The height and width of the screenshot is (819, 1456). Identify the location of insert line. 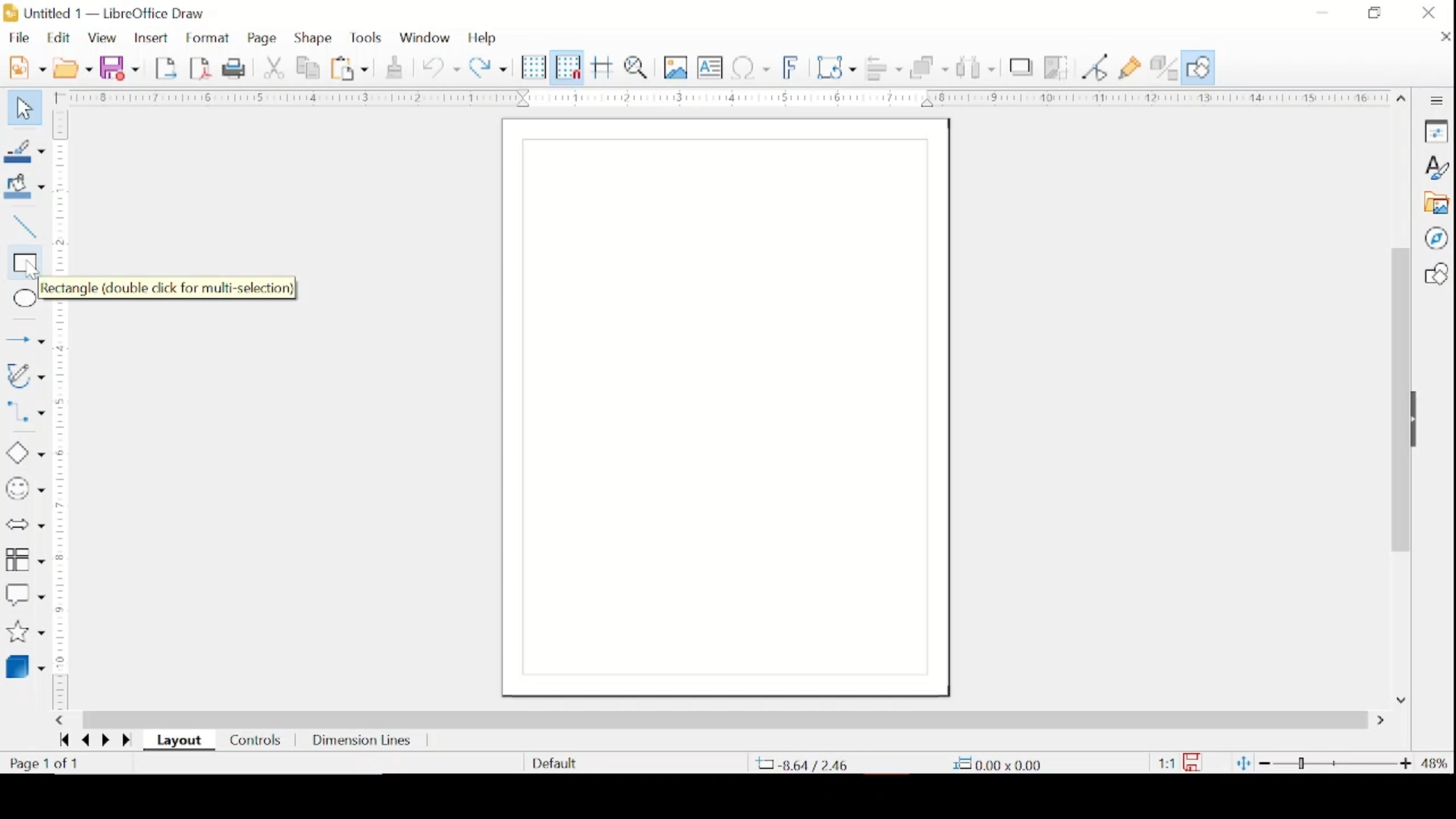
(23, 227).